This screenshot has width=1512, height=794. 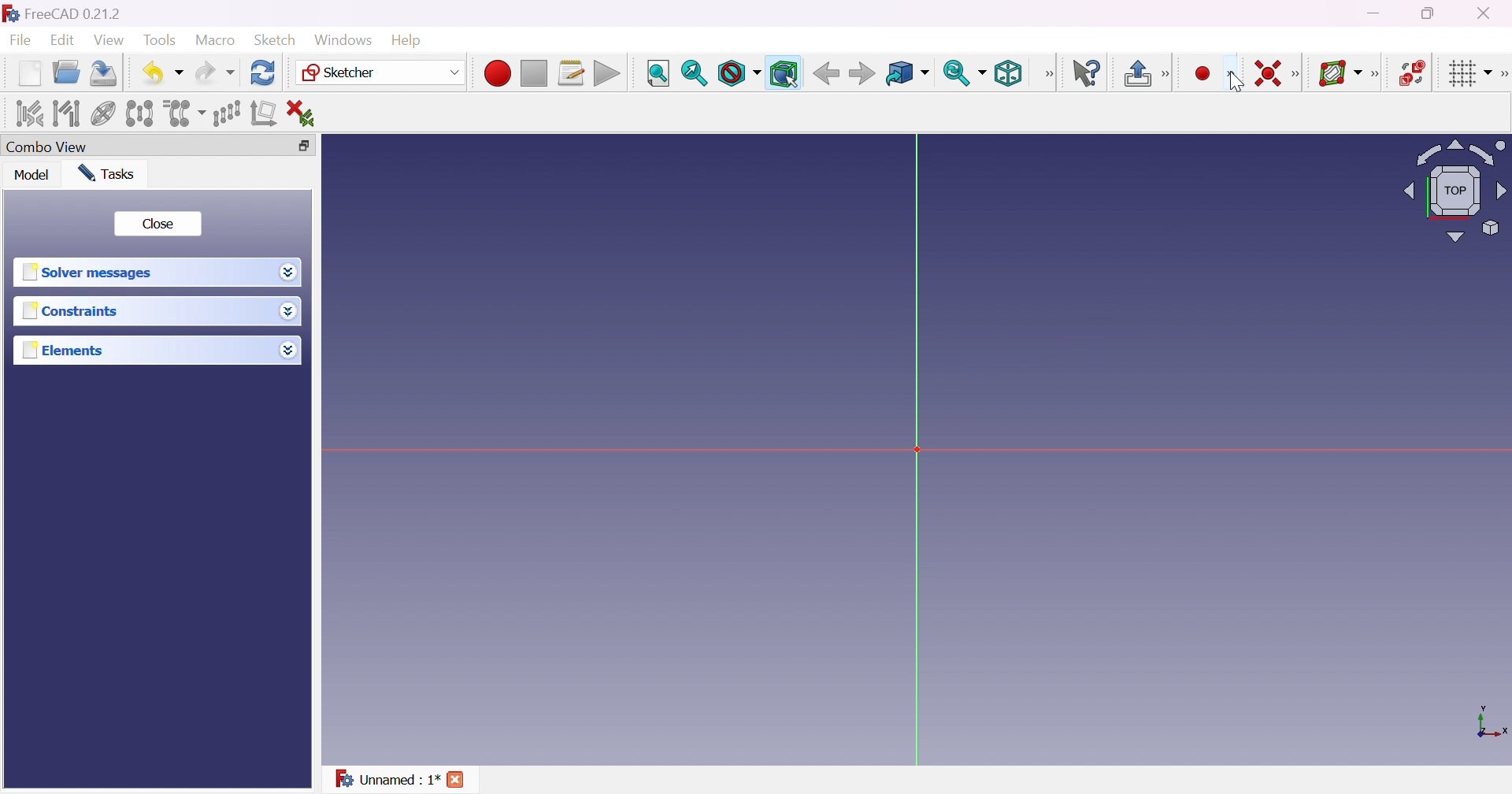 What do you see at coordinates (108, 39) in the screenshot?
I see `View` at bounding box center [108, 39].